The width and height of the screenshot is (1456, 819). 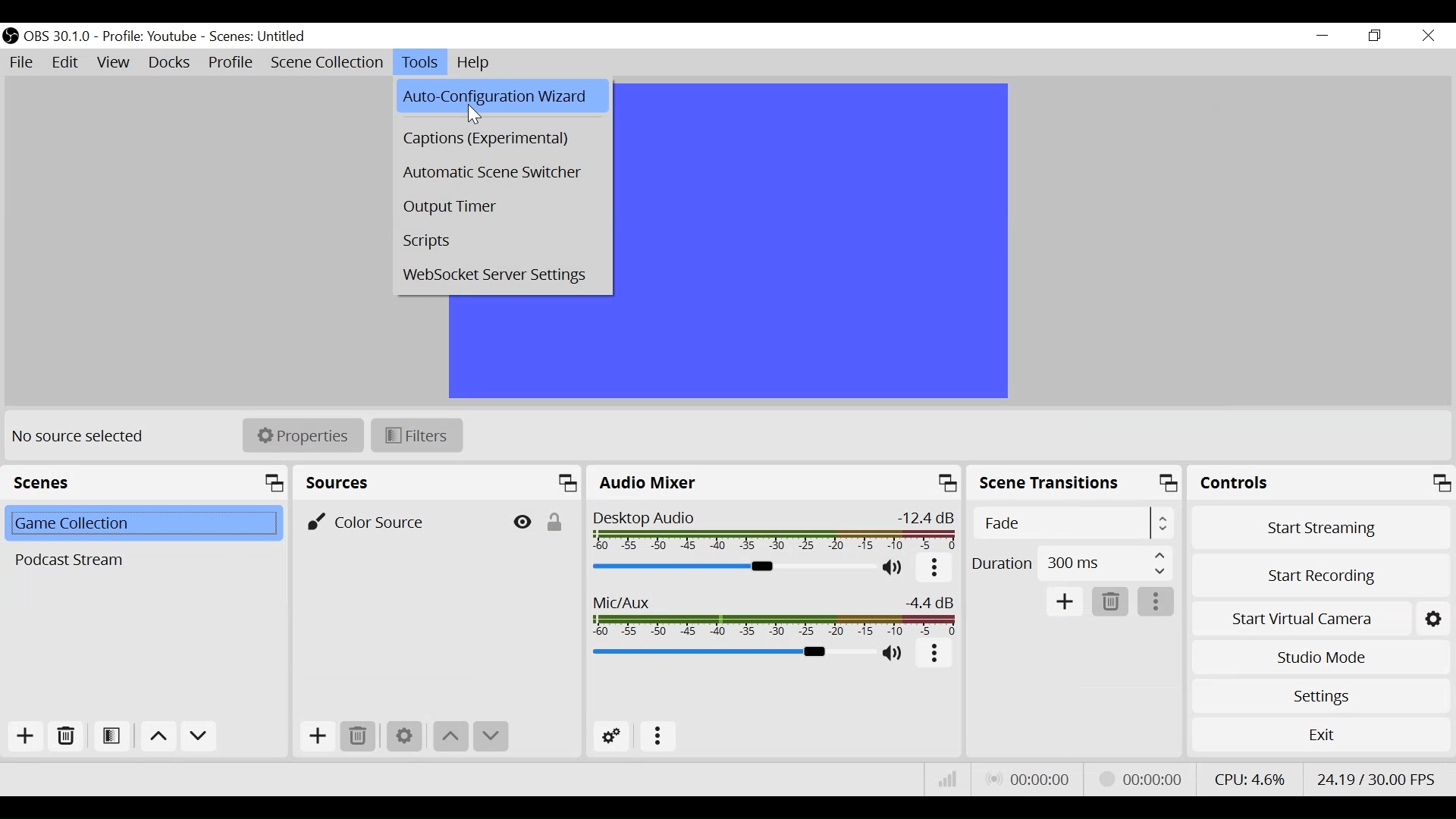 What do you see at coordinates (149, 37) in the screenshot?
I see `profile` at bounding box center [149, 37].